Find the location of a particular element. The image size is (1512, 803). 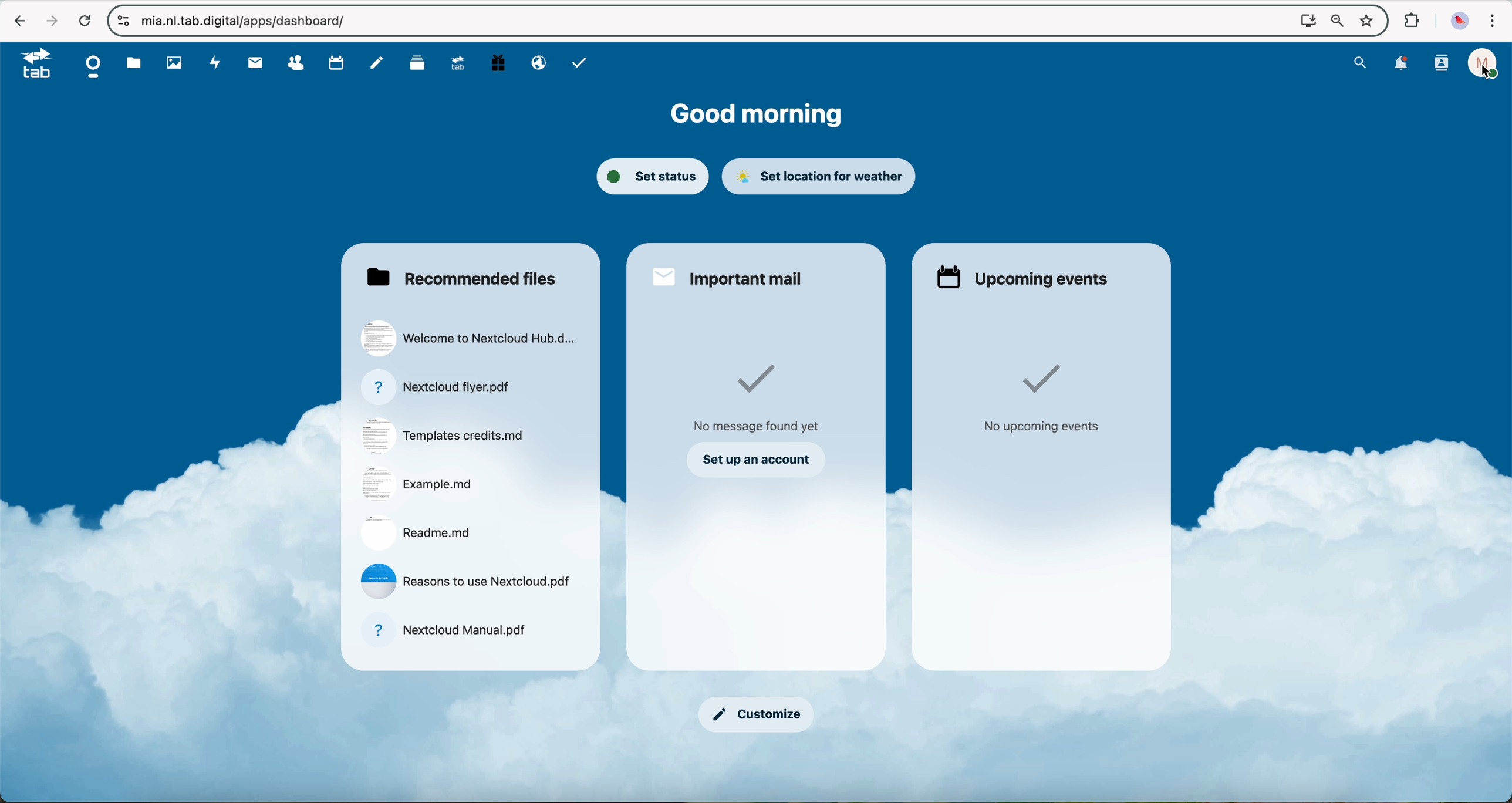

set up an account is located at coordinates (761, 458).